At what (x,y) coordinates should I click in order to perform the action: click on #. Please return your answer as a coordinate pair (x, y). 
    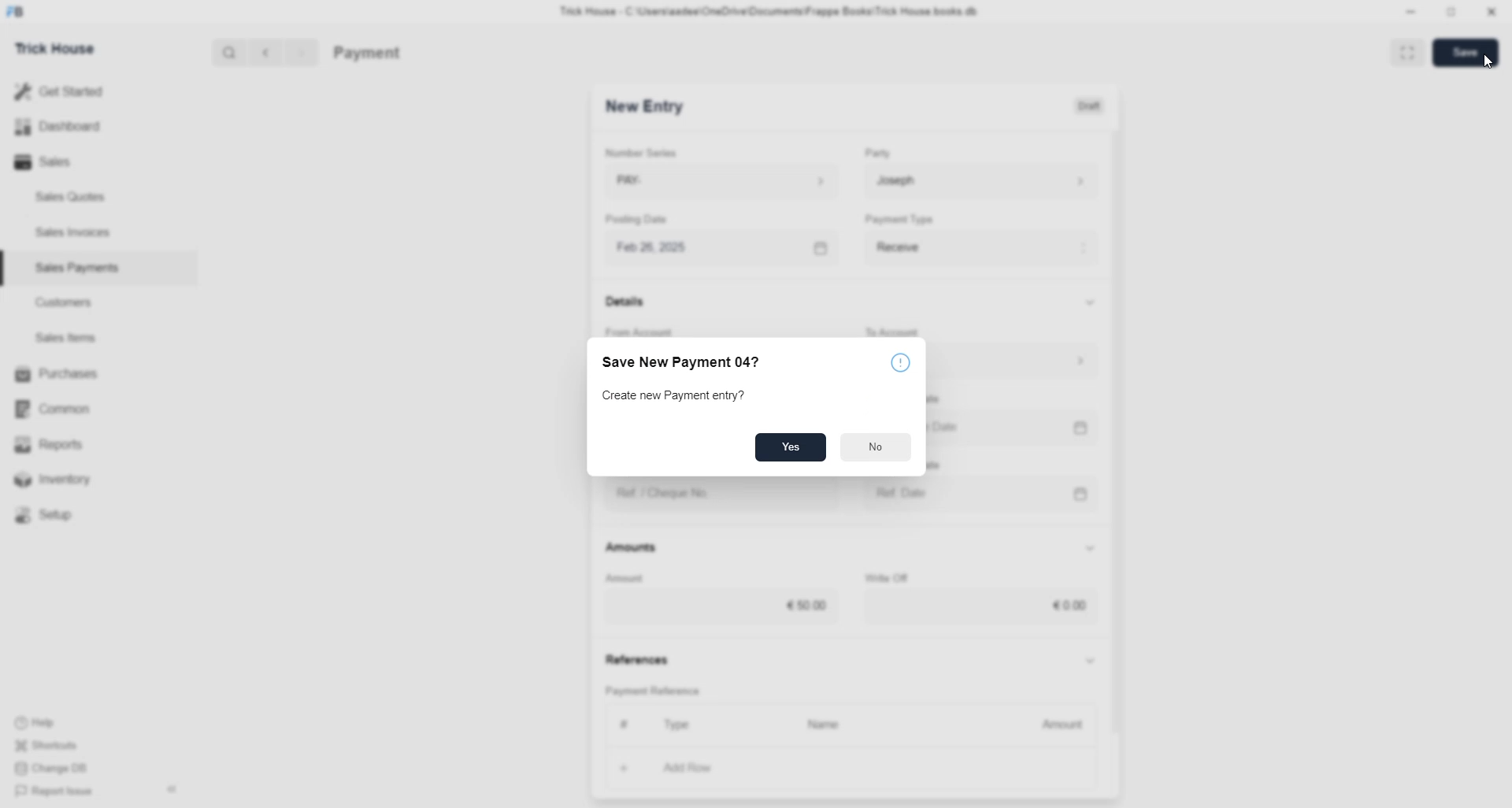
    Looking at the image, I should click on (625, 724).